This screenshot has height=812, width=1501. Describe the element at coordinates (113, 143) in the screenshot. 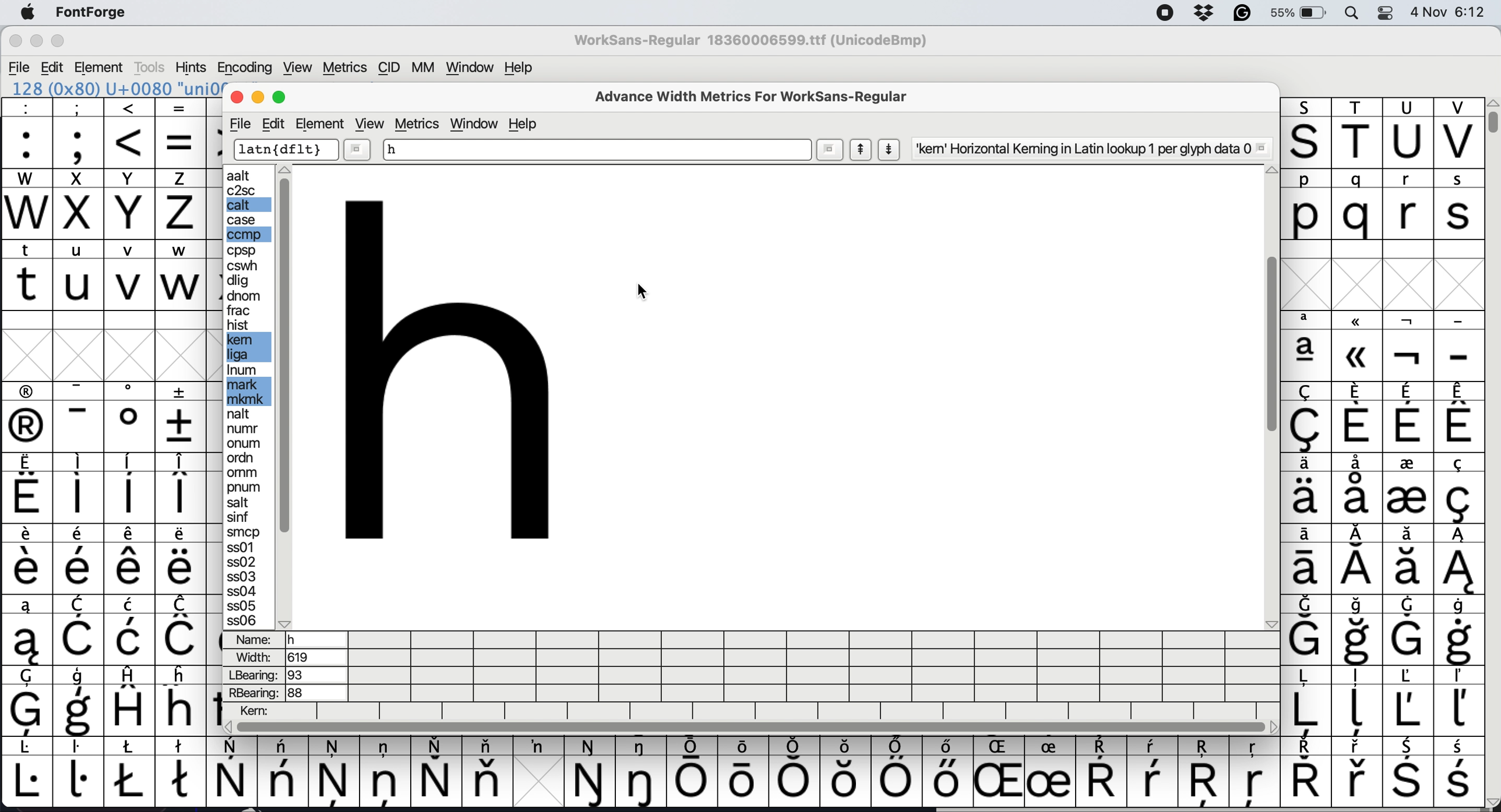

I see `special characters` at that location.